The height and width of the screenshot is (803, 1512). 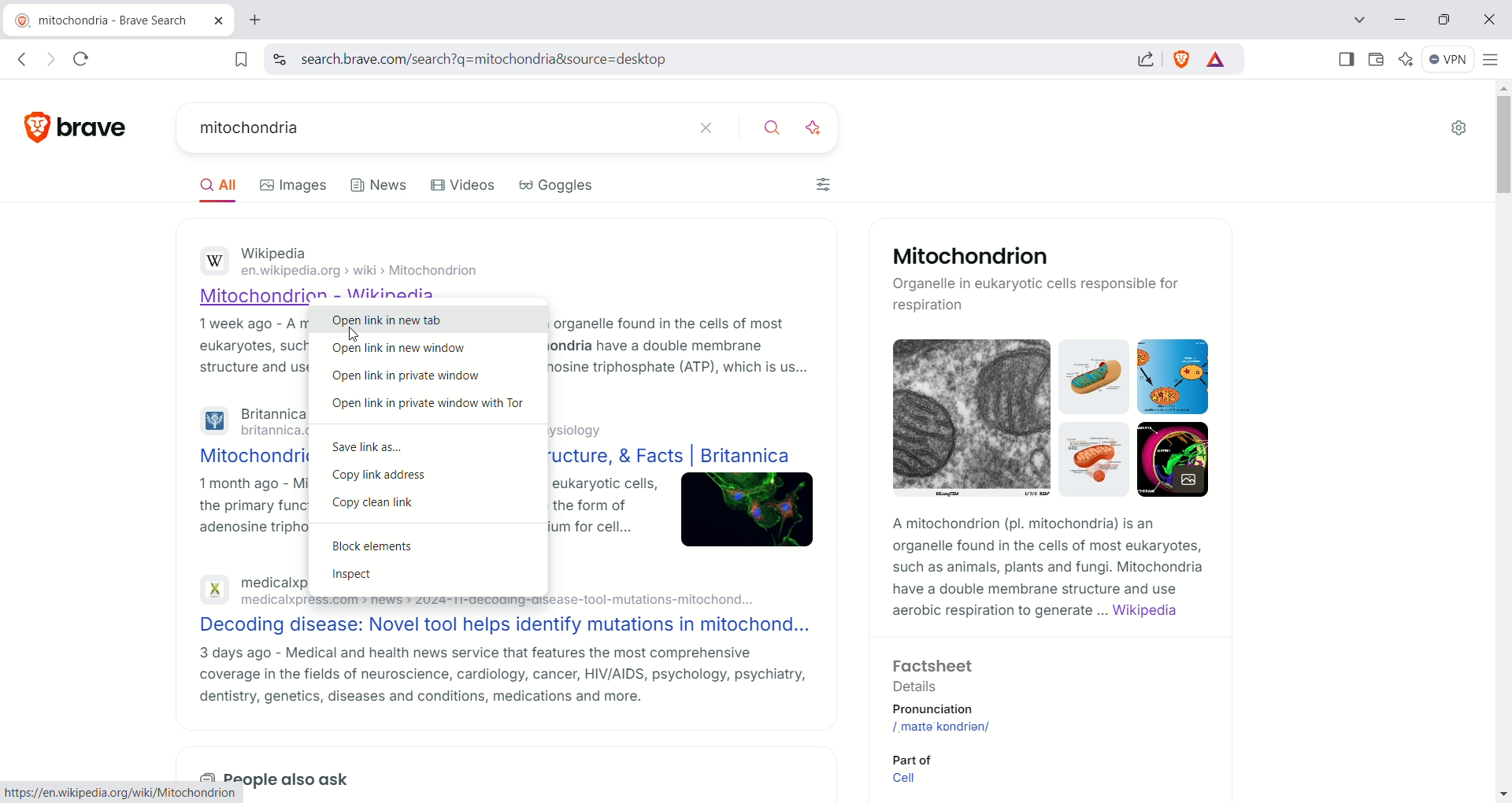 What do you see at coordinates (770, 128) in the screenshot?
I see `search button` at bounding box center [770, 128].